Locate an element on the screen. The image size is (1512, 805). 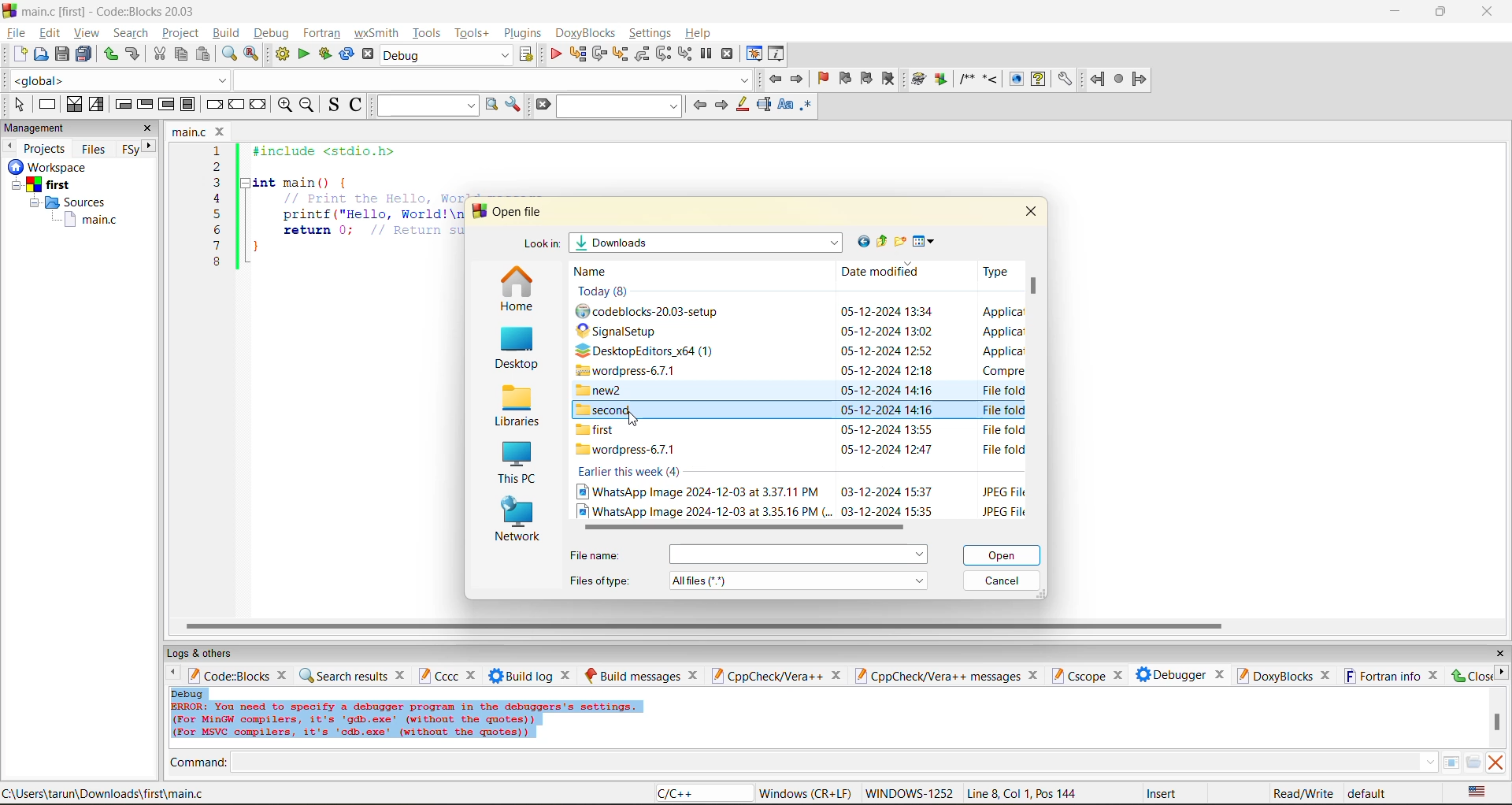
wordpress folder is located at coordinates (633, 370).